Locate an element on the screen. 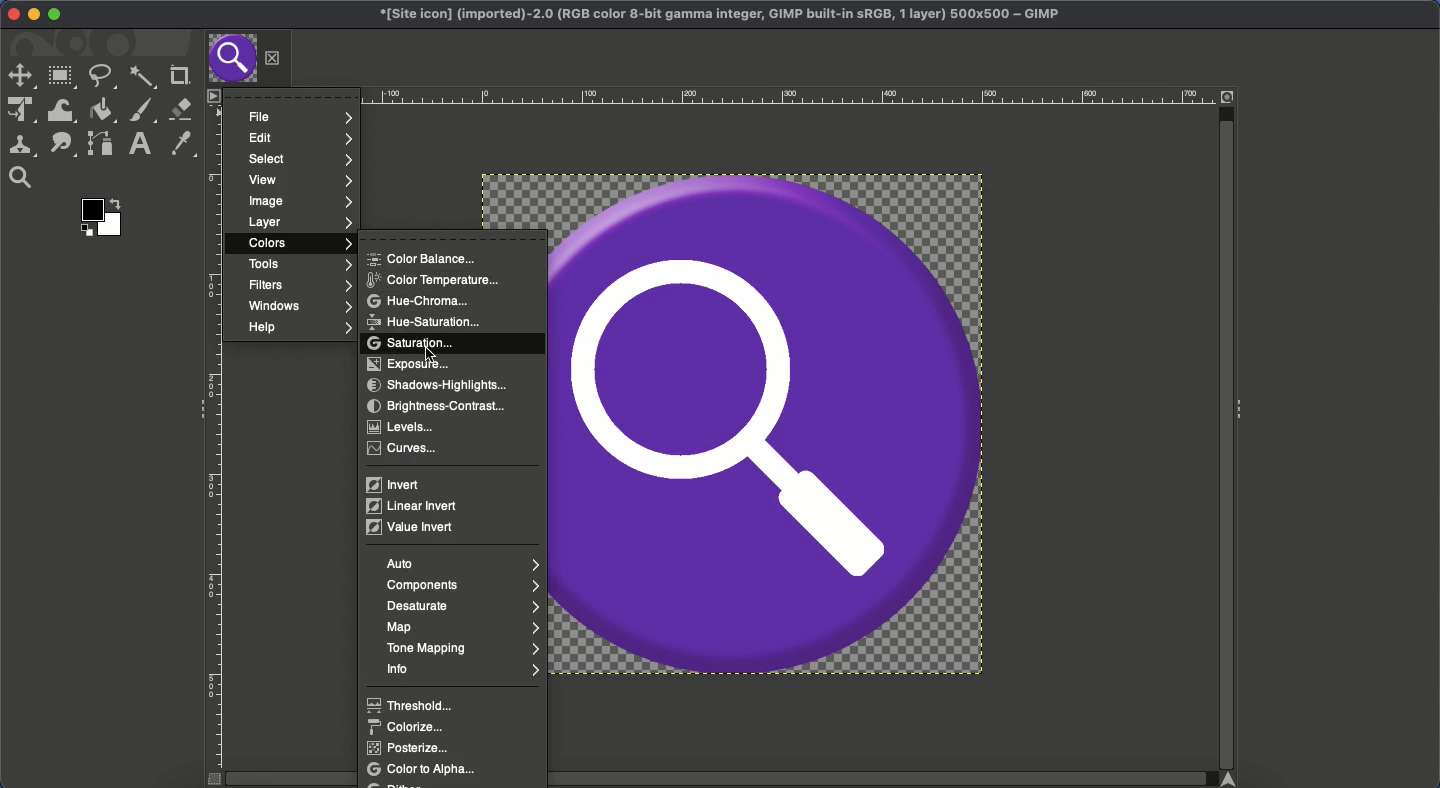  Help is located at coordinates (296, 328).